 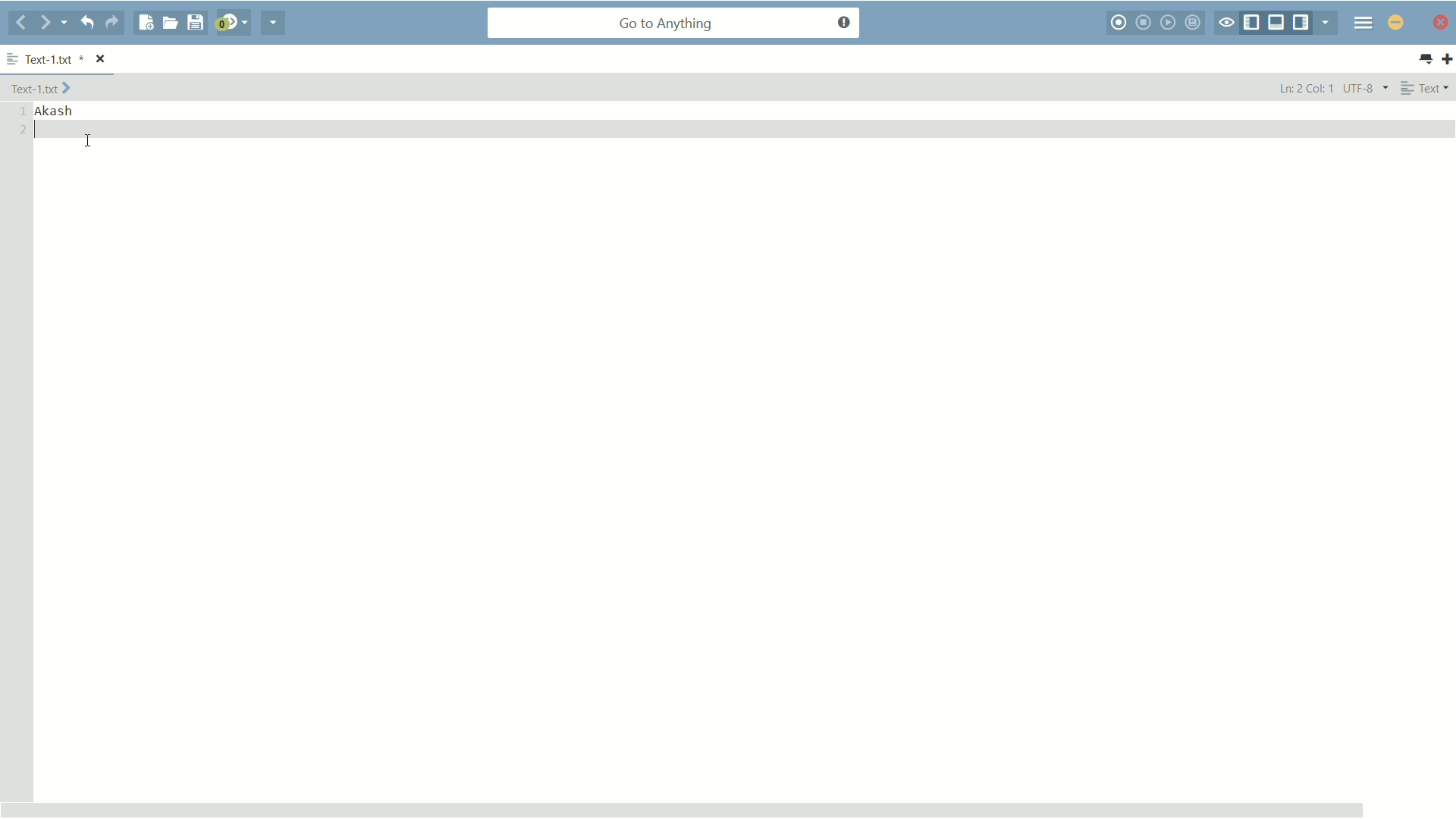 I want to click on forward, so click(x=53, y=23).